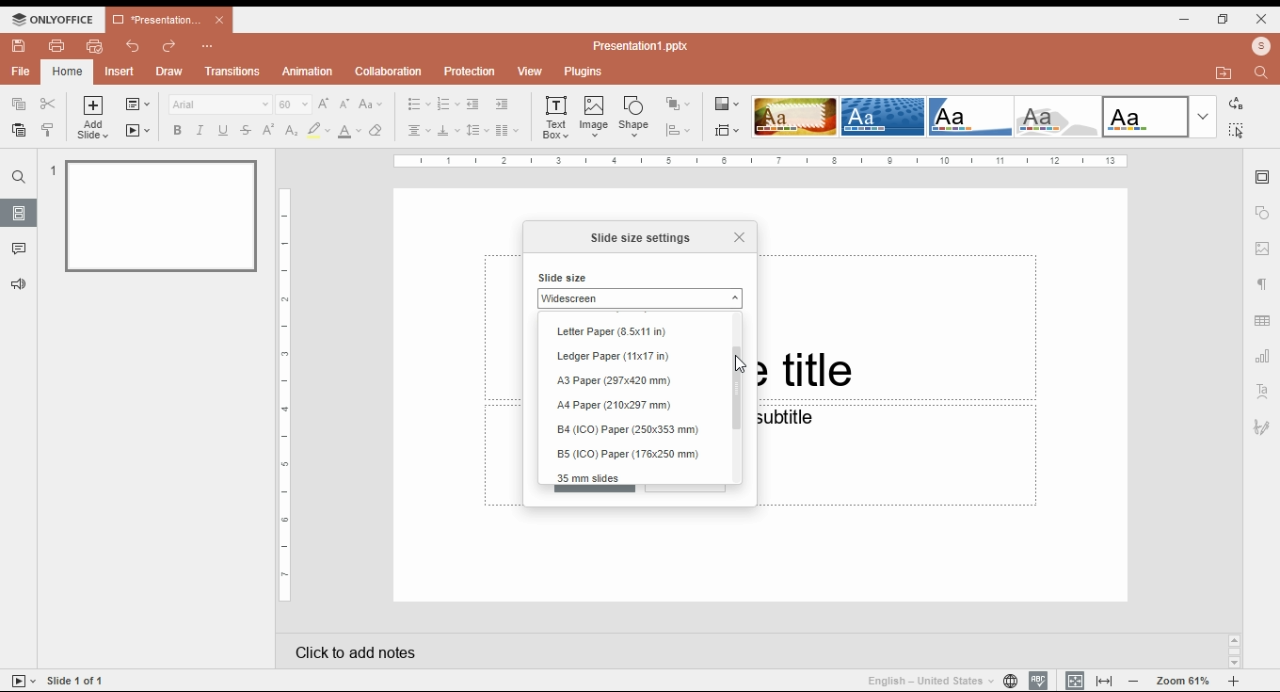 The image size is (1280, 692). What do you see at coordinates (286, 396) in the screenshot?
I see `Page Scale` at bounding box center [286, 396].